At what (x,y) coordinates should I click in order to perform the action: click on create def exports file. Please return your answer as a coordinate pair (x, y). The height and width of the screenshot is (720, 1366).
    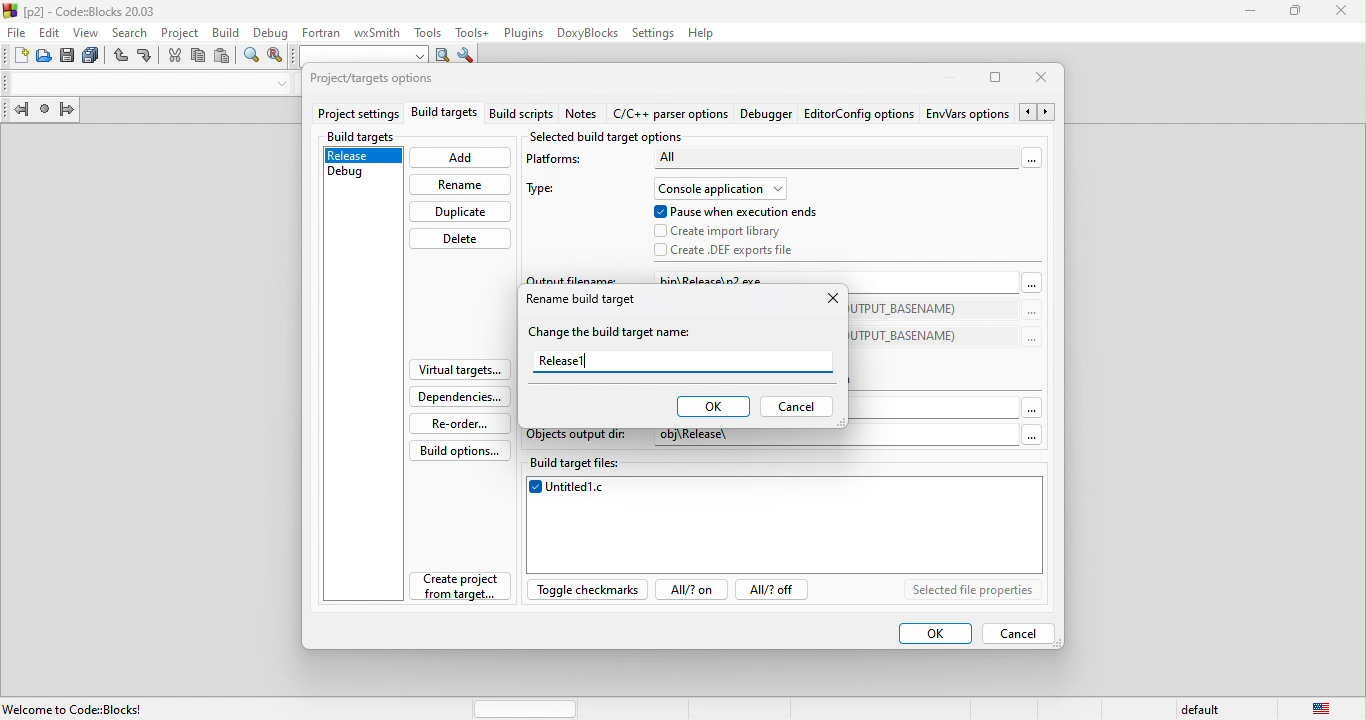
    Looking at the image, I should click on (742, 250).